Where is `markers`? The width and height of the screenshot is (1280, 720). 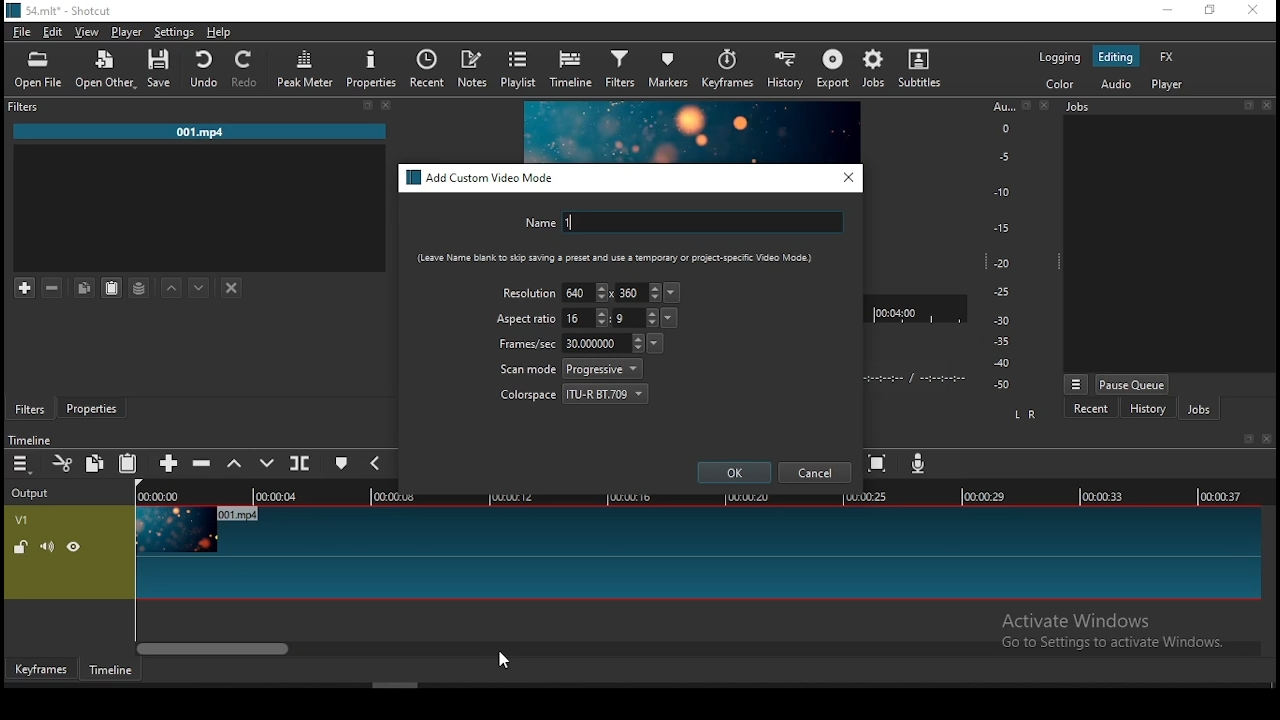
markers is located at coordinates (670, 67).